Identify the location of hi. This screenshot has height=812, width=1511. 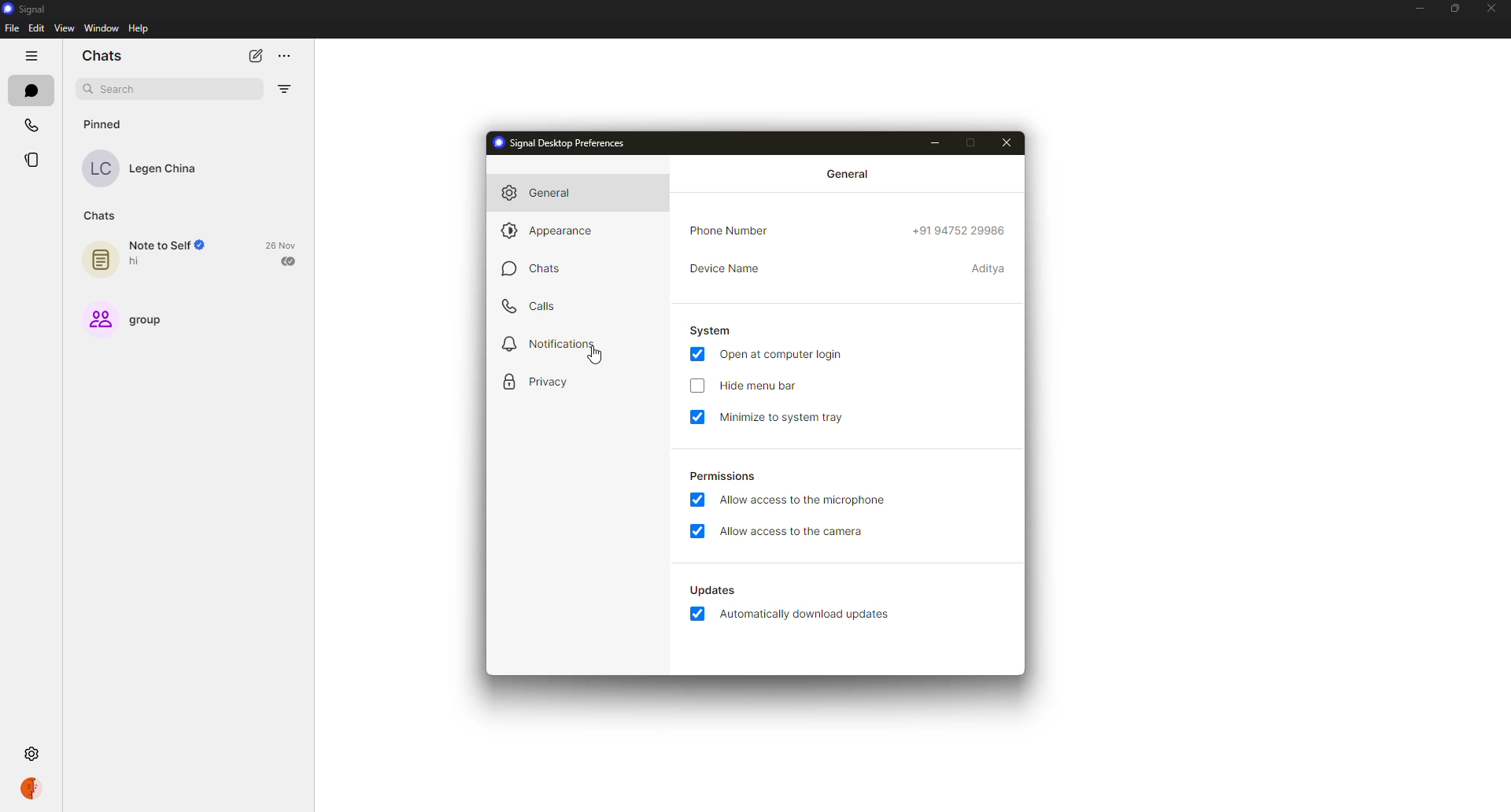
(137, 262).